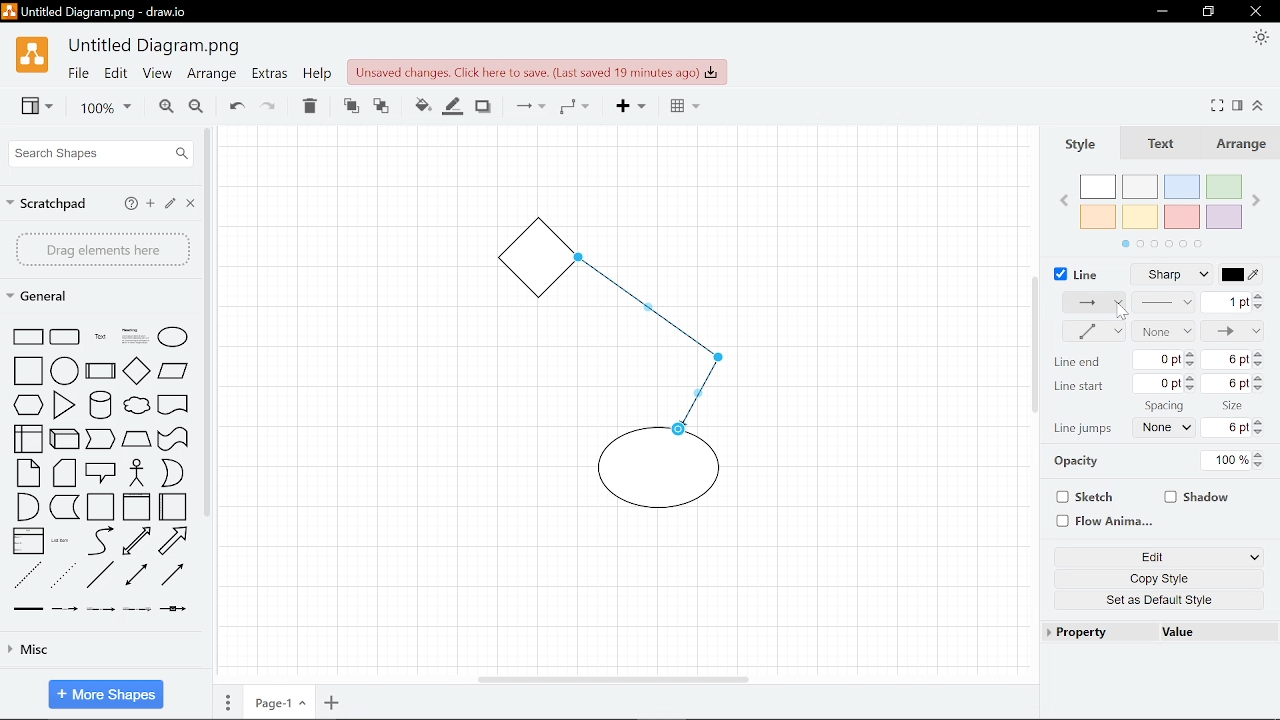  What do you see at coordinates (31, 60) in the screenshot?
I see `Draw.io logo` at bounding box center [31, 60].